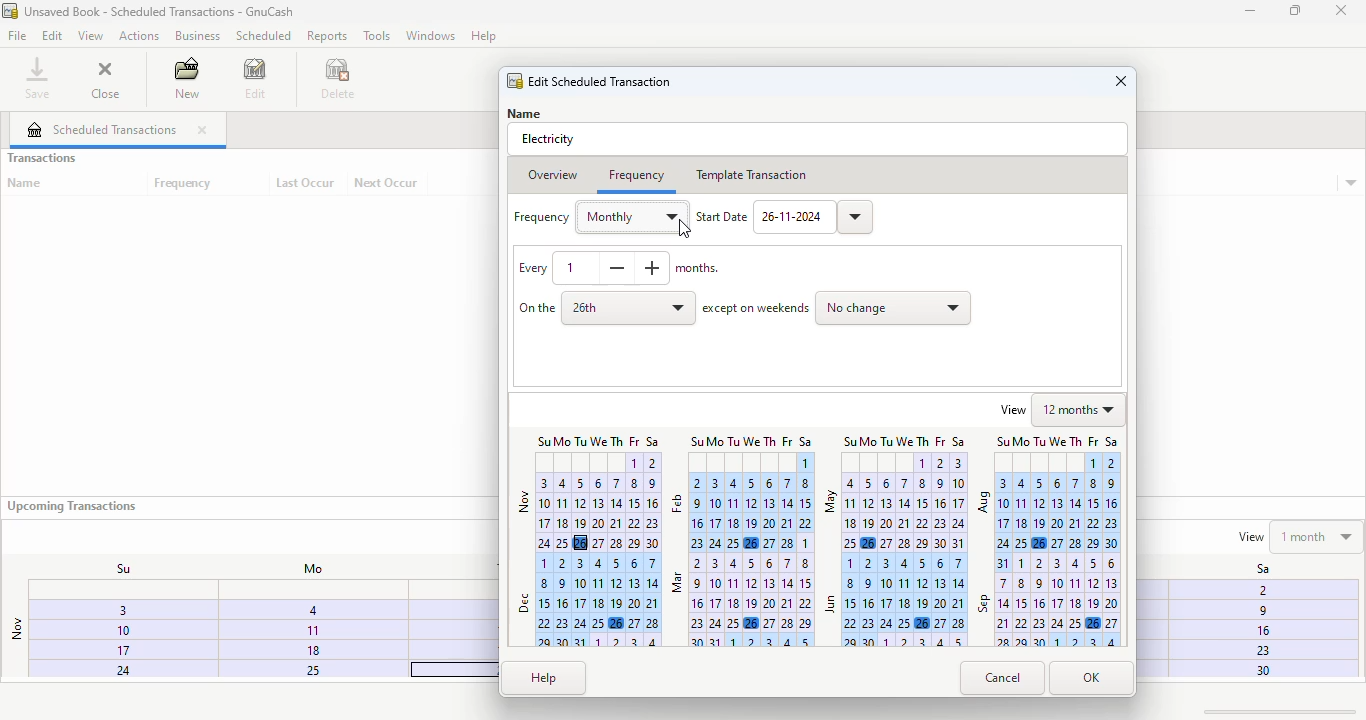  Describe the element at coordinates (138, 36) in the screenshot. I see `actions` at that location.